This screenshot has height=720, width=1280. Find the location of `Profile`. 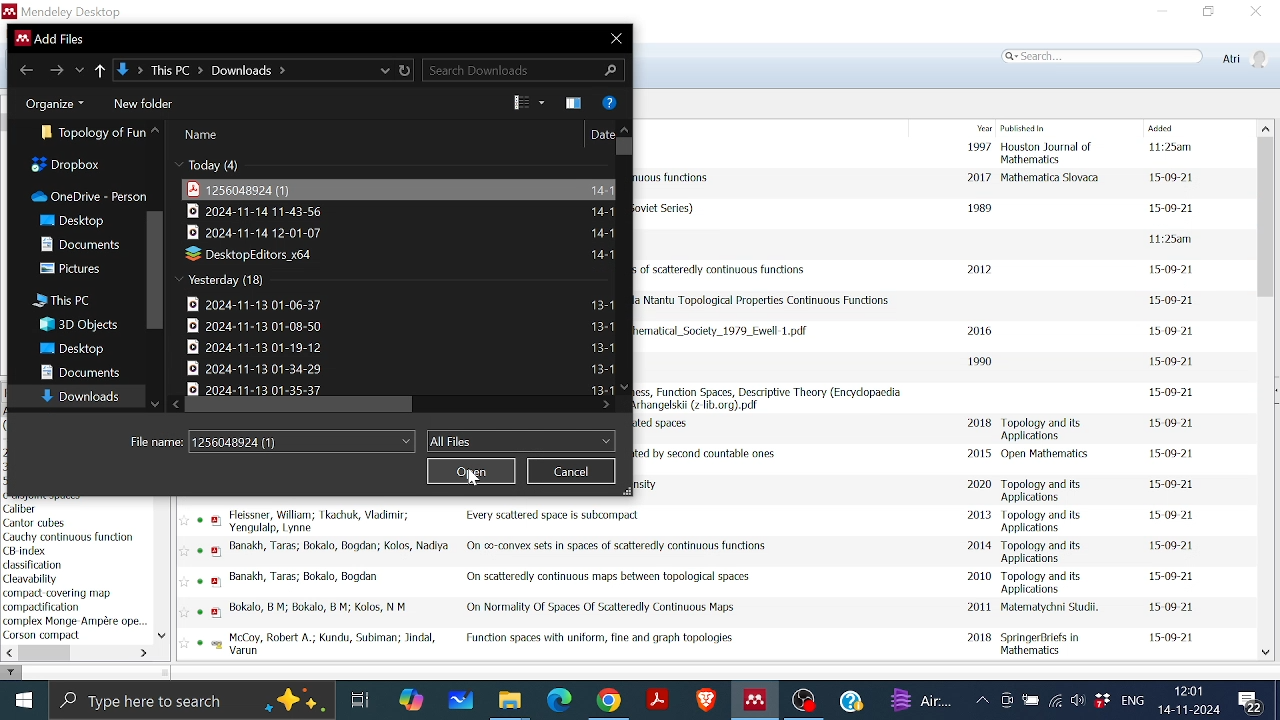

Profile is located at coordinates (1245, 60).